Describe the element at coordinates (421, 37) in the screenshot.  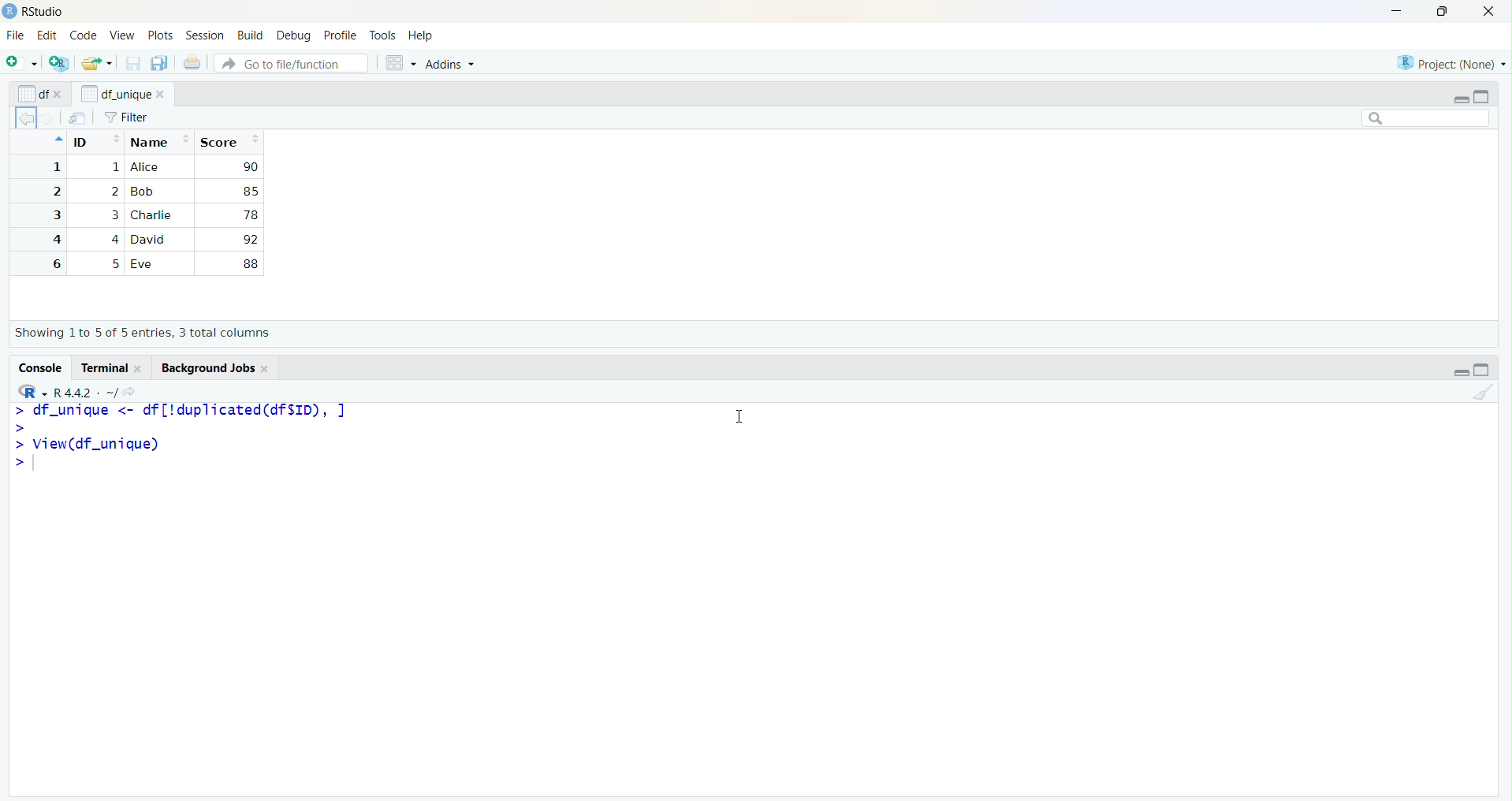
I see `Help` at that location.